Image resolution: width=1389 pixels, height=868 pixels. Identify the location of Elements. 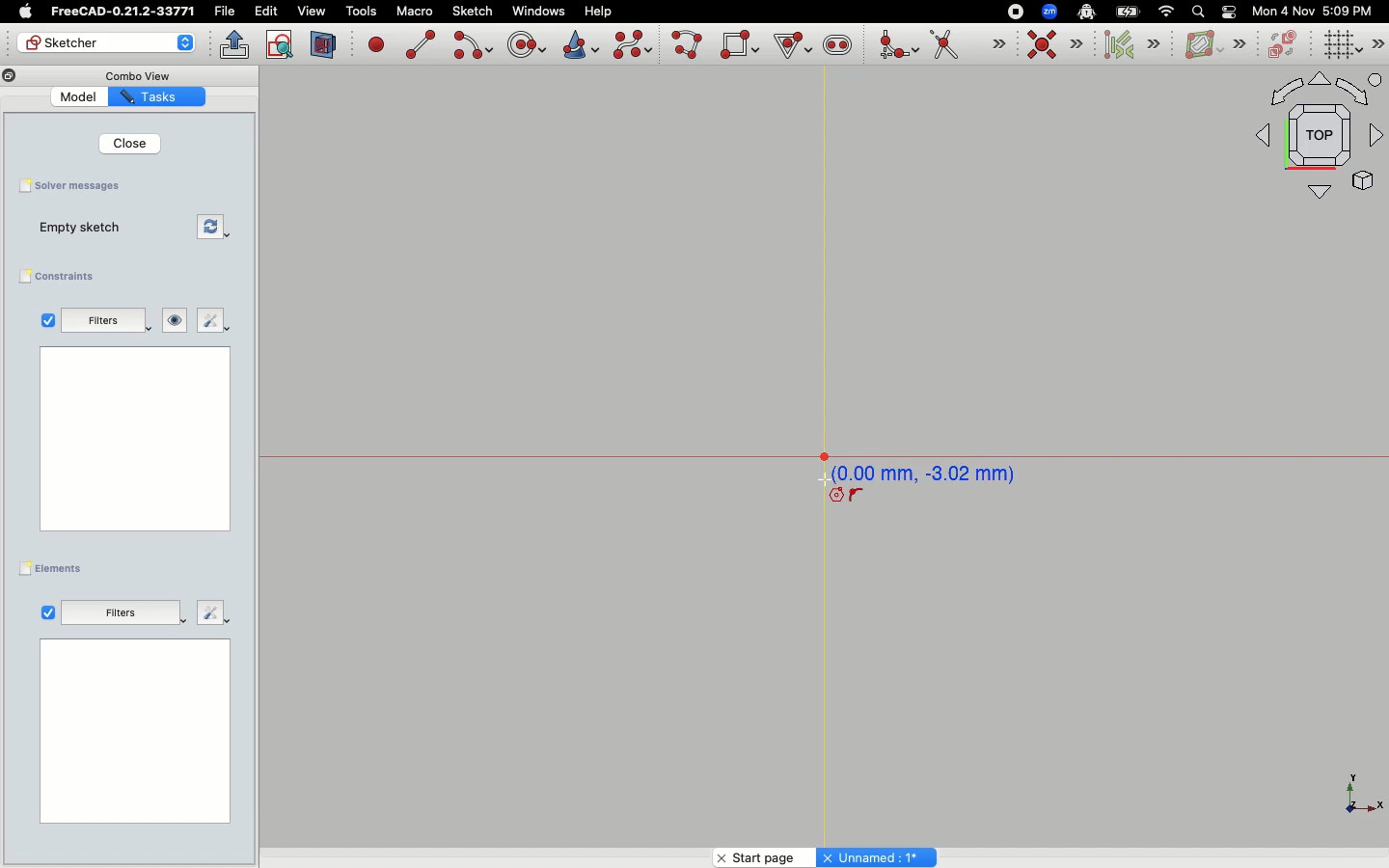
(56, 568).